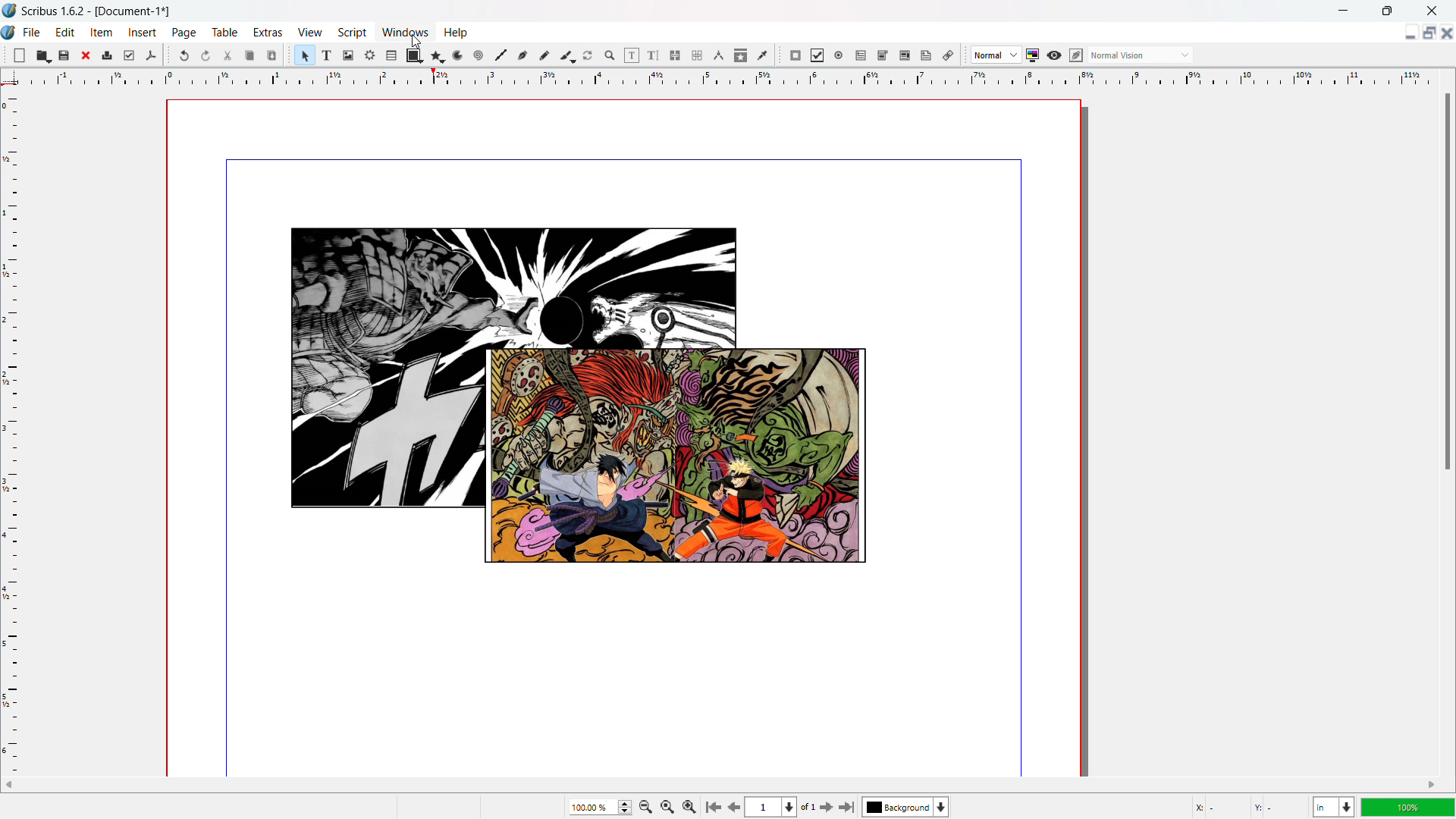  What do you see at coordinates (566, 55) in the screenshot?
I see `caligraphic line` at bounding box center [566, 55].